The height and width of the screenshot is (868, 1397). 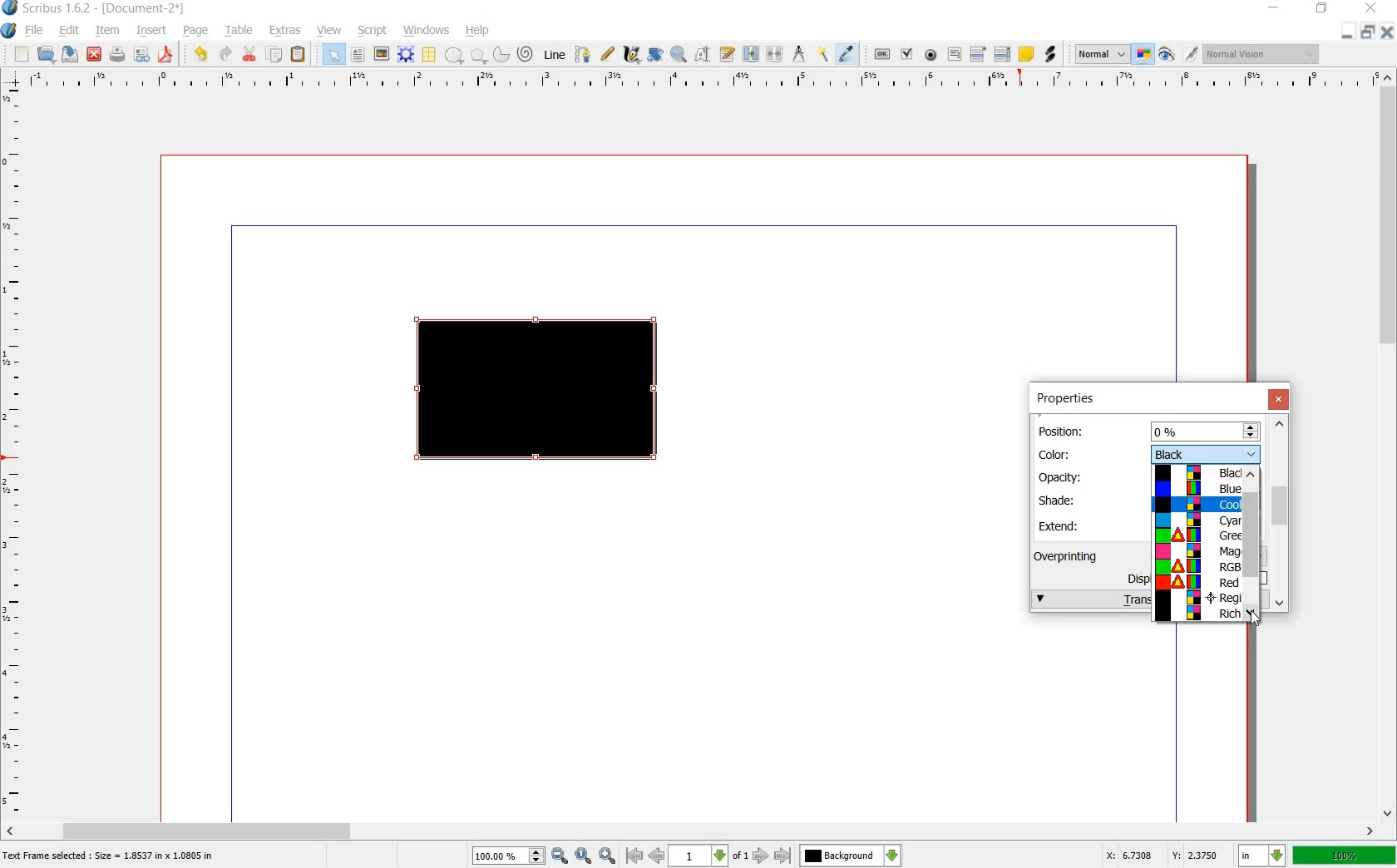 What do you see at coordinates (299, 55) in the screenshot?
I see `paste` at bounding box center [299, 55].